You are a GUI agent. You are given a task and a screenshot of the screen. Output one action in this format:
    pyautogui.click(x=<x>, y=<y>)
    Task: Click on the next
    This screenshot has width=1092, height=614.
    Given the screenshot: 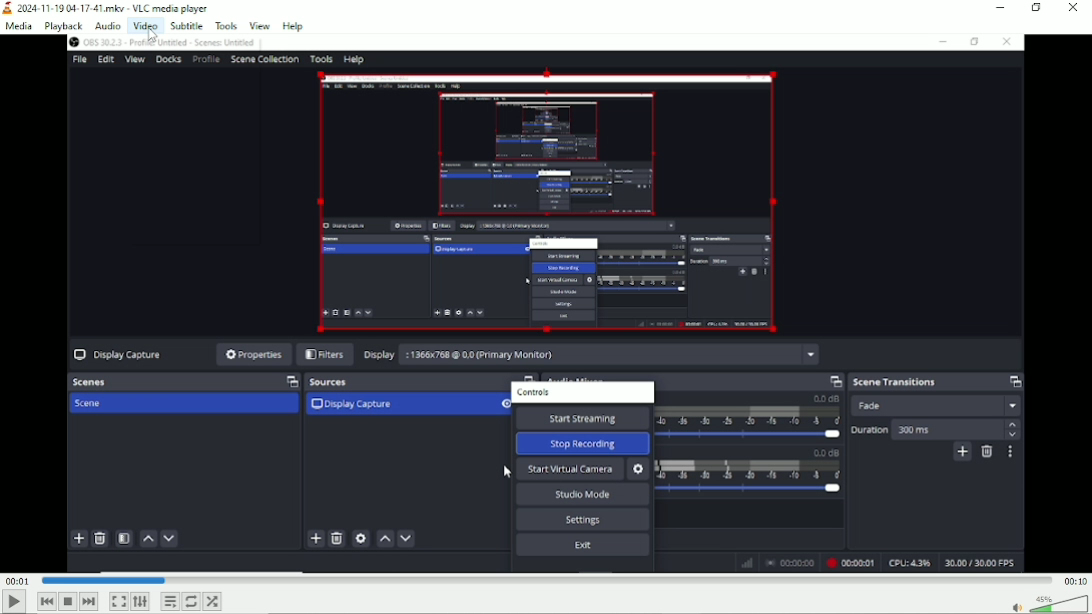 What is the action you would take?
    pyautogui.click(x=89, y=602)
    